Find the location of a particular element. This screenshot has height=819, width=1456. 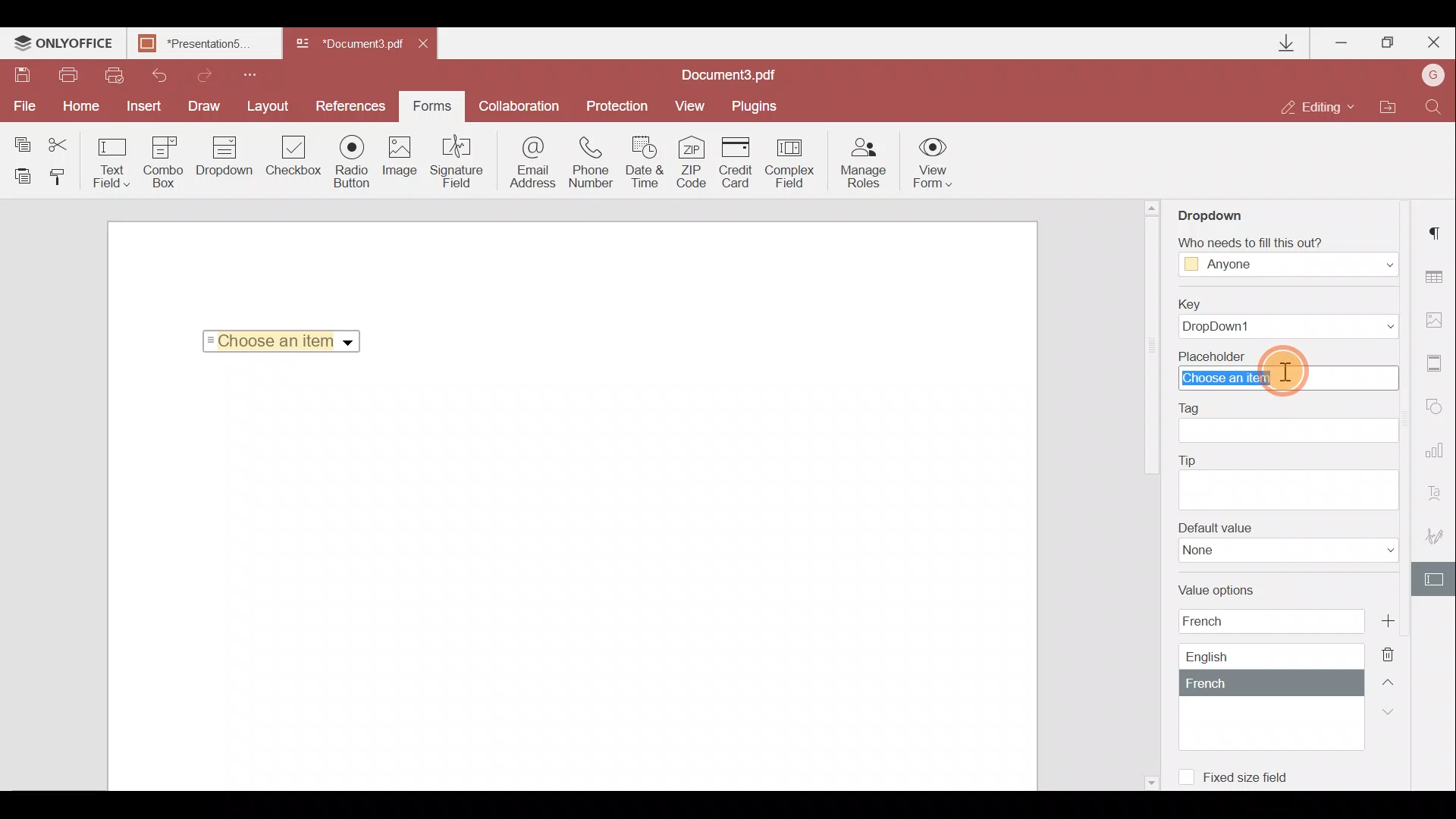

Down is located at coordinates (1393, 711).